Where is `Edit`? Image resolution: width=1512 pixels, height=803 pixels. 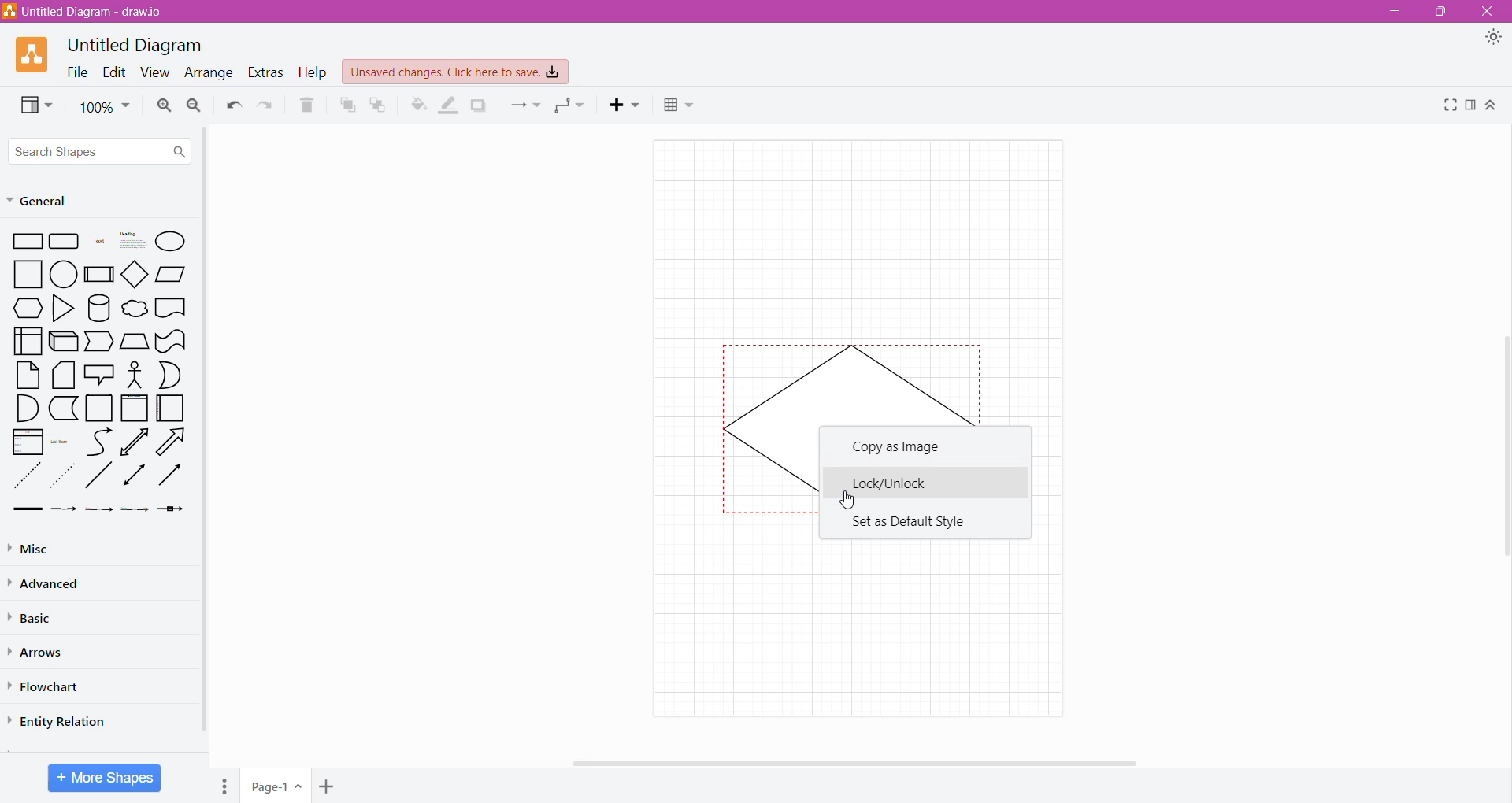
Edit is located at coordinates (113, 72).